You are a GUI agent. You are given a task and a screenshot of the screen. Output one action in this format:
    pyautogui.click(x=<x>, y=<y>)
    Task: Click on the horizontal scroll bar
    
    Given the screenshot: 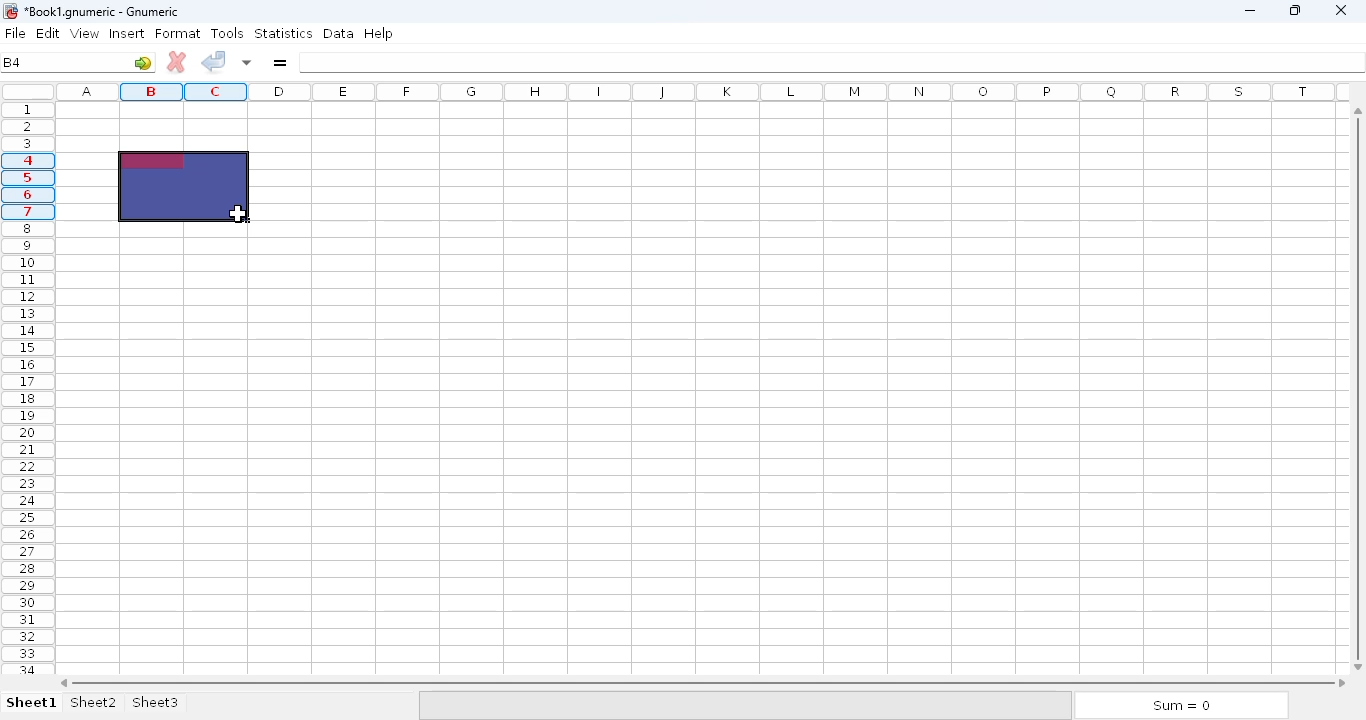 What is the action you would take?
    pyautogui.click(x=703, y=682)
    